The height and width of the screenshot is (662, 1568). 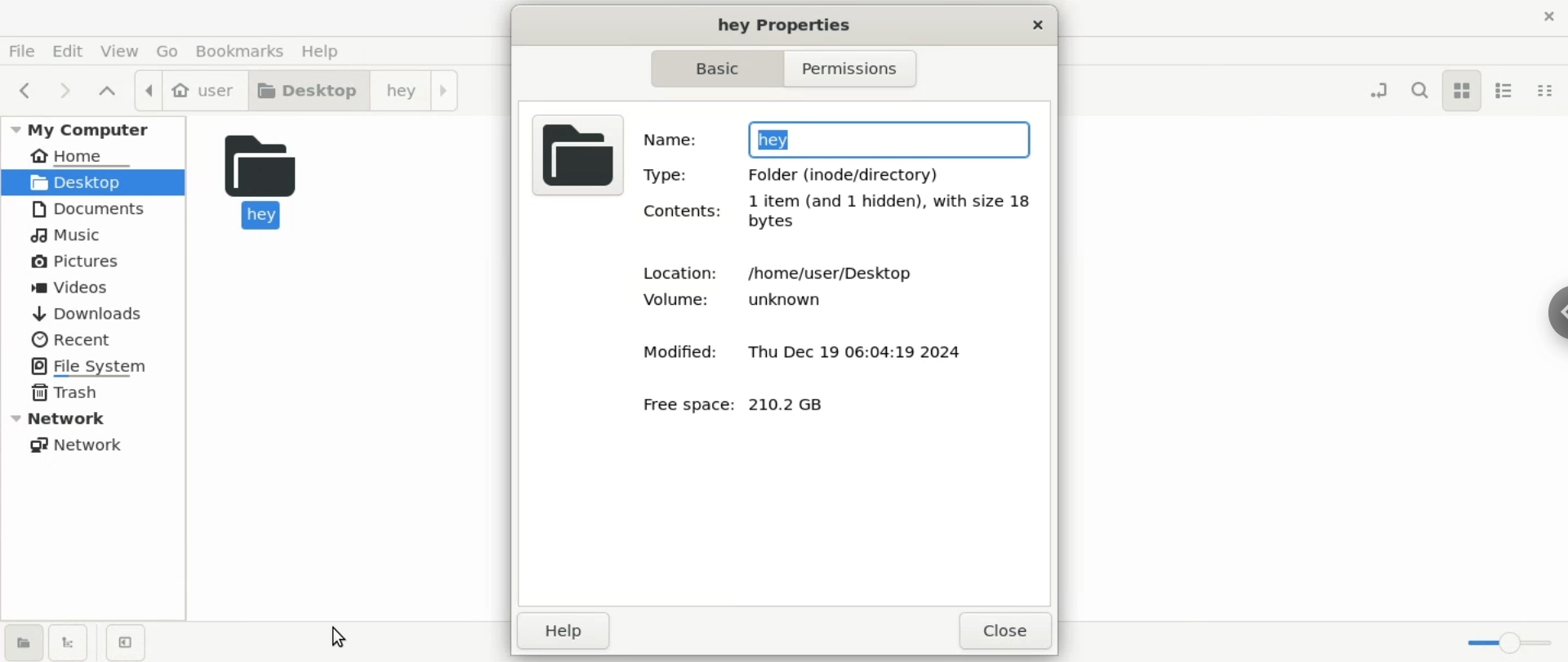 I want to click on 1 item (and 1 hidden), with size 18 bytes, so click(x=889, y=212).